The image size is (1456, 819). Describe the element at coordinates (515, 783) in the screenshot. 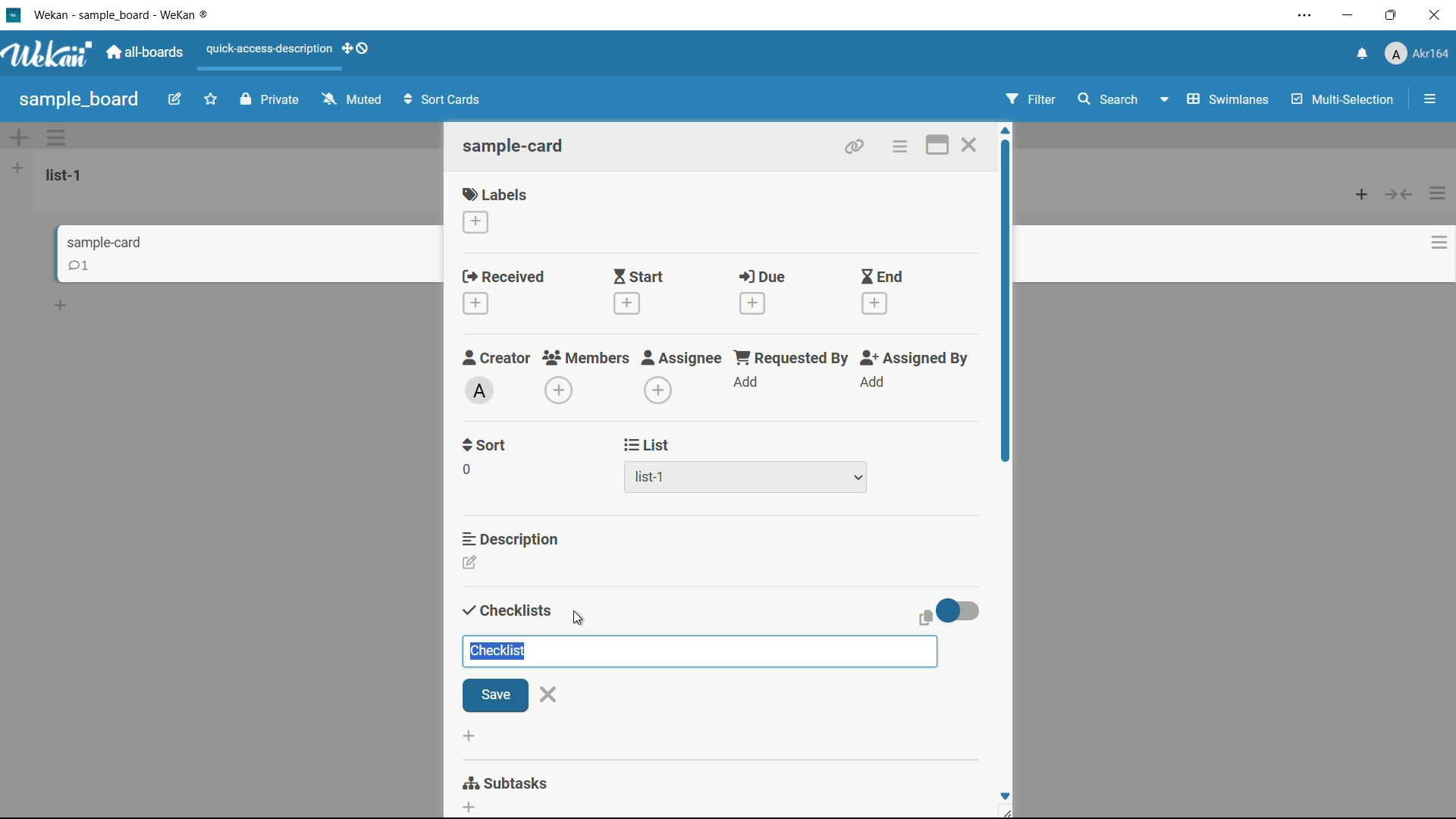

I see `Subtasks` at that location.